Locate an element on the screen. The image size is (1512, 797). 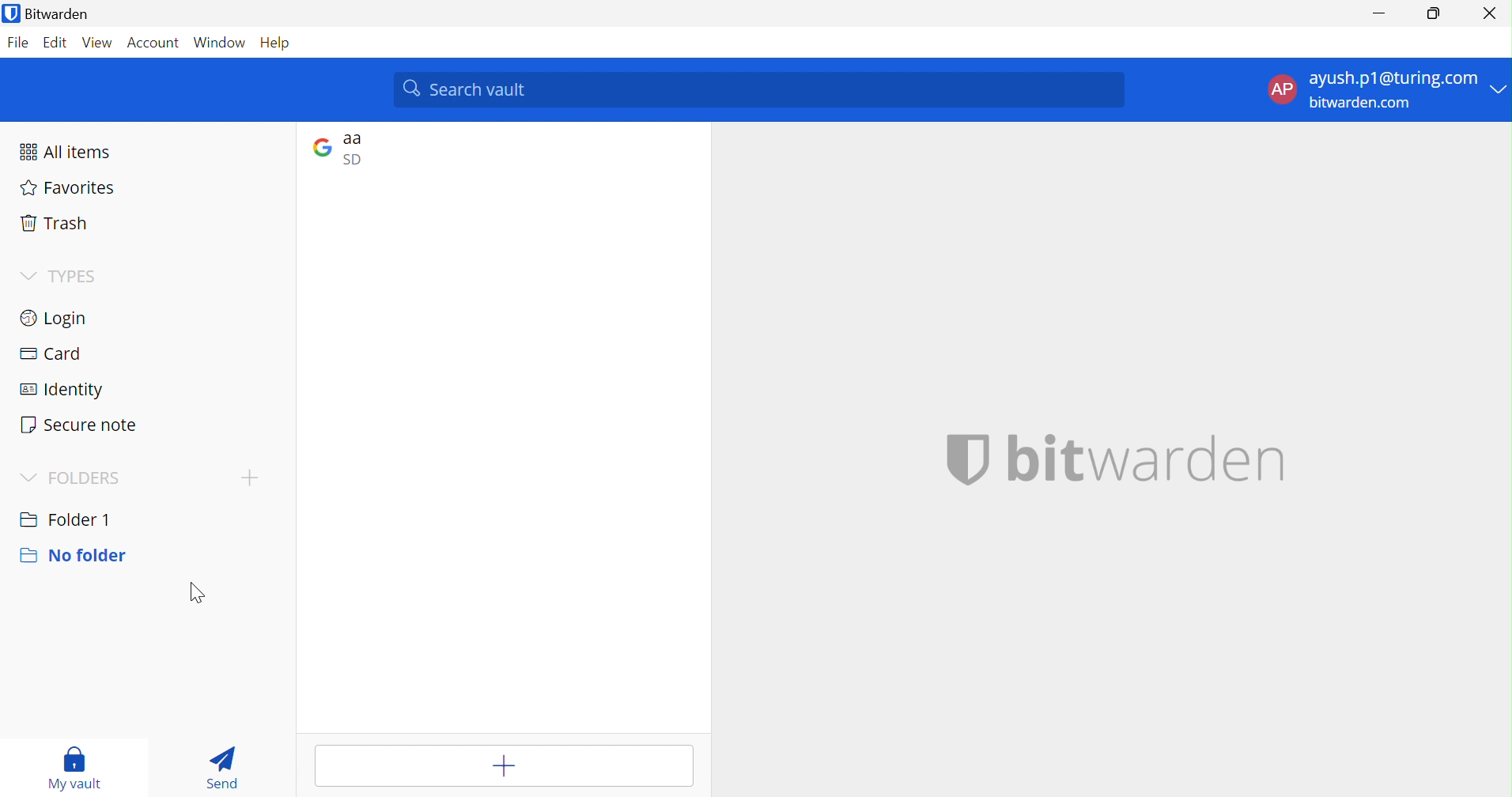
File is located at coordinates (20, 42).